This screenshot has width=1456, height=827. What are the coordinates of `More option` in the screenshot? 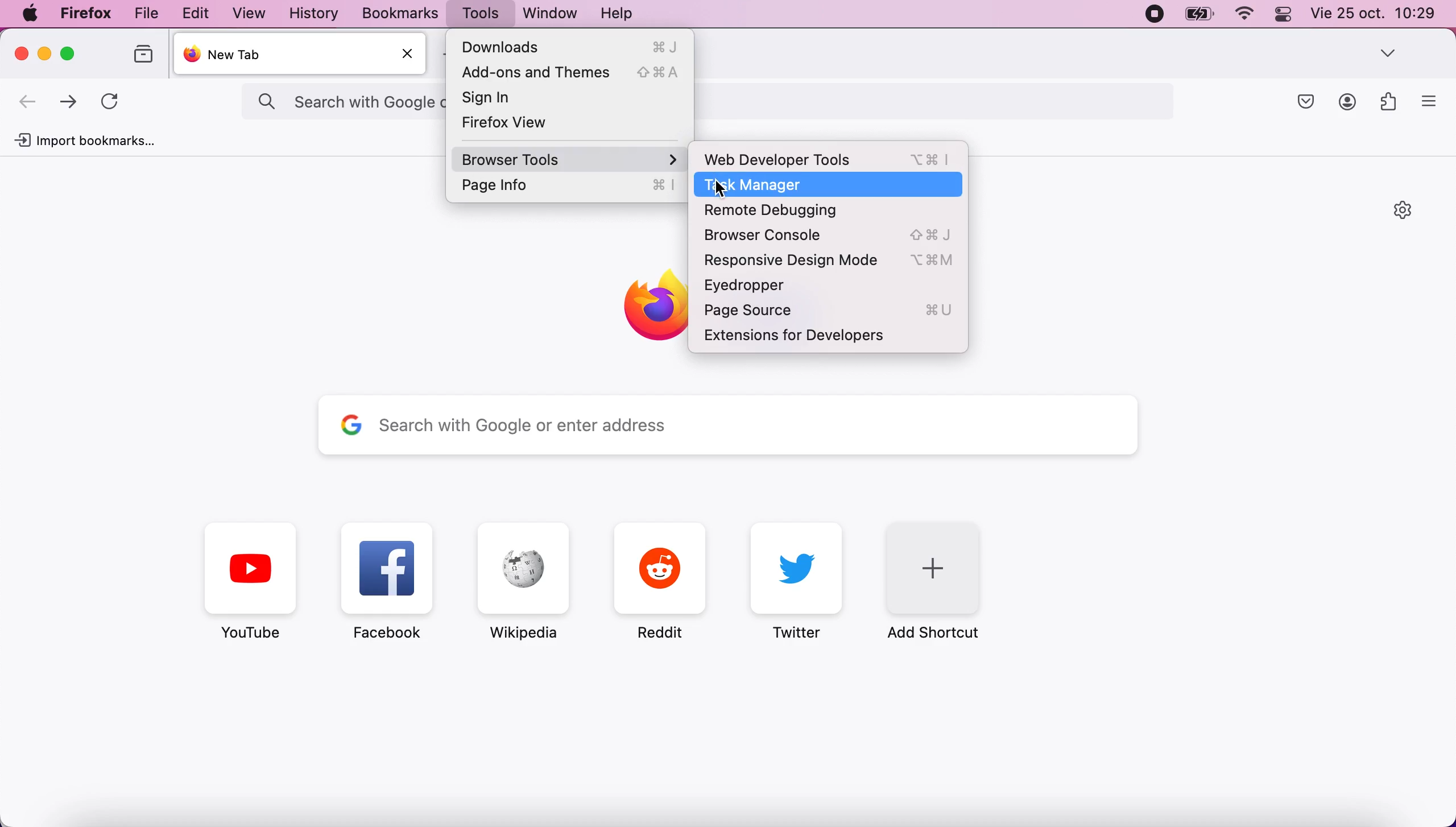 It's located at (1430, 100).